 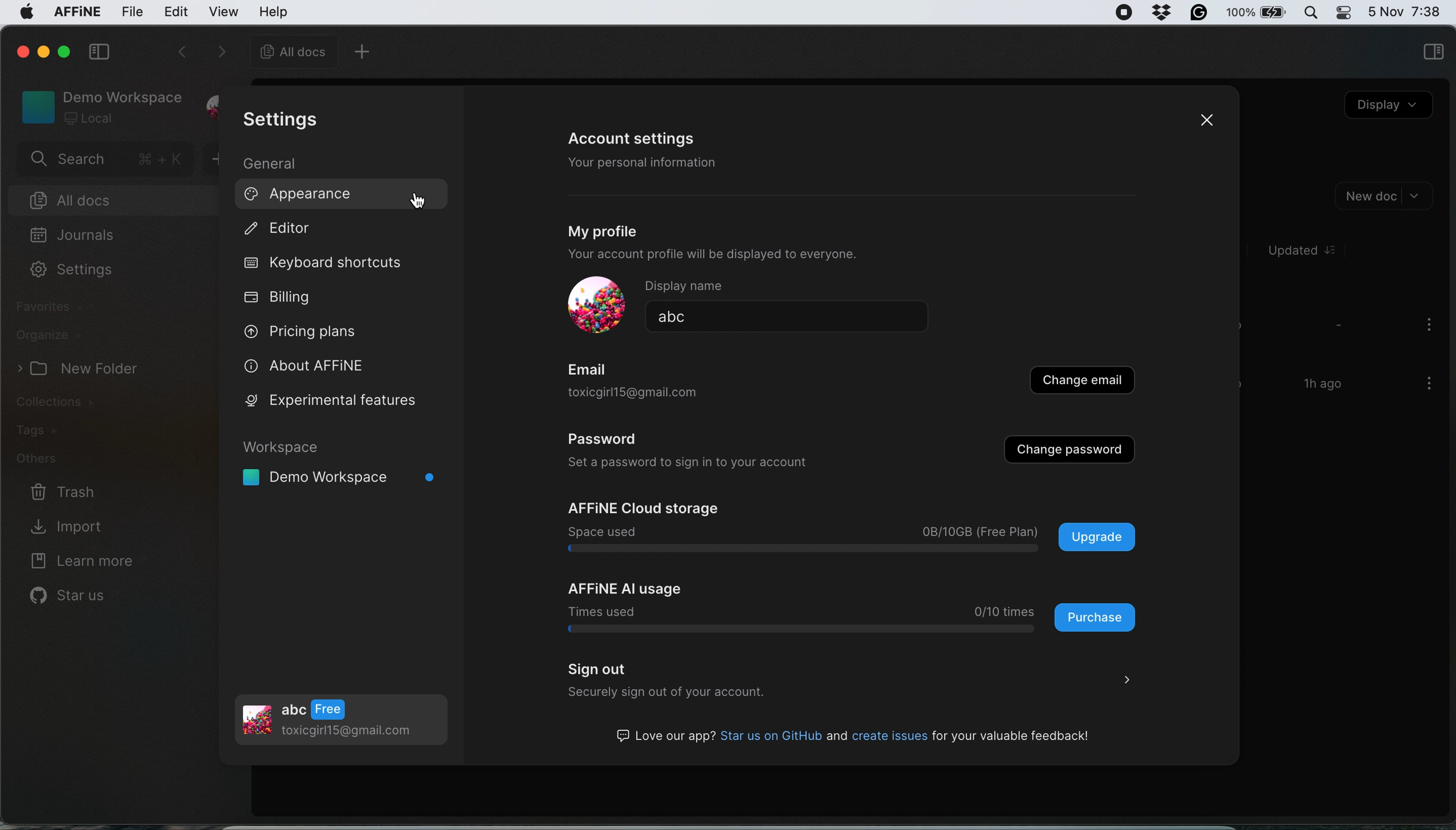 I want to click on 1h ago, so click(x=1327, y=383).